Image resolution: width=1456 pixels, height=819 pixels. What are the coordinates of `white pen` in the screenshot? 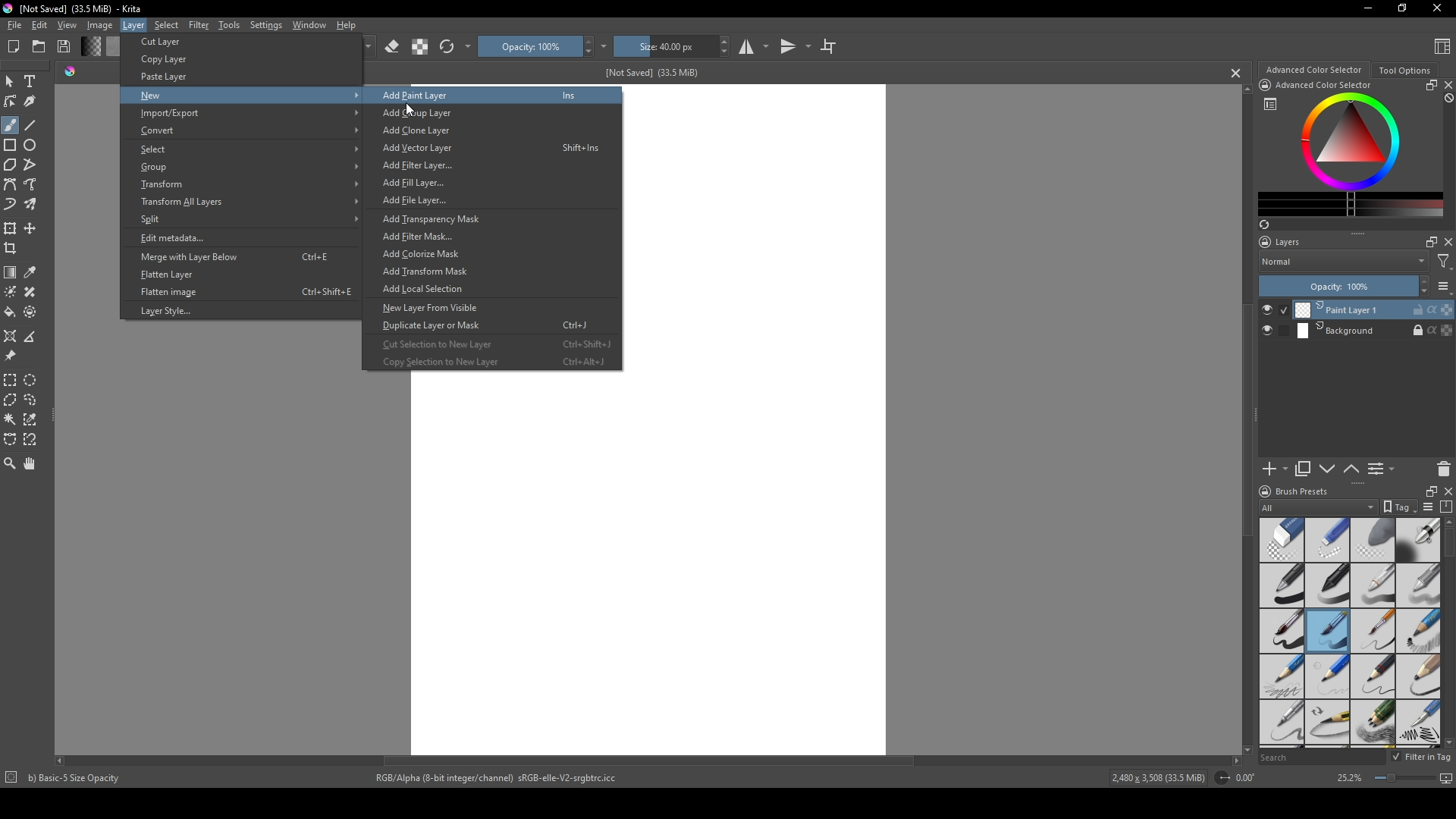 It's located at (1373, 585).